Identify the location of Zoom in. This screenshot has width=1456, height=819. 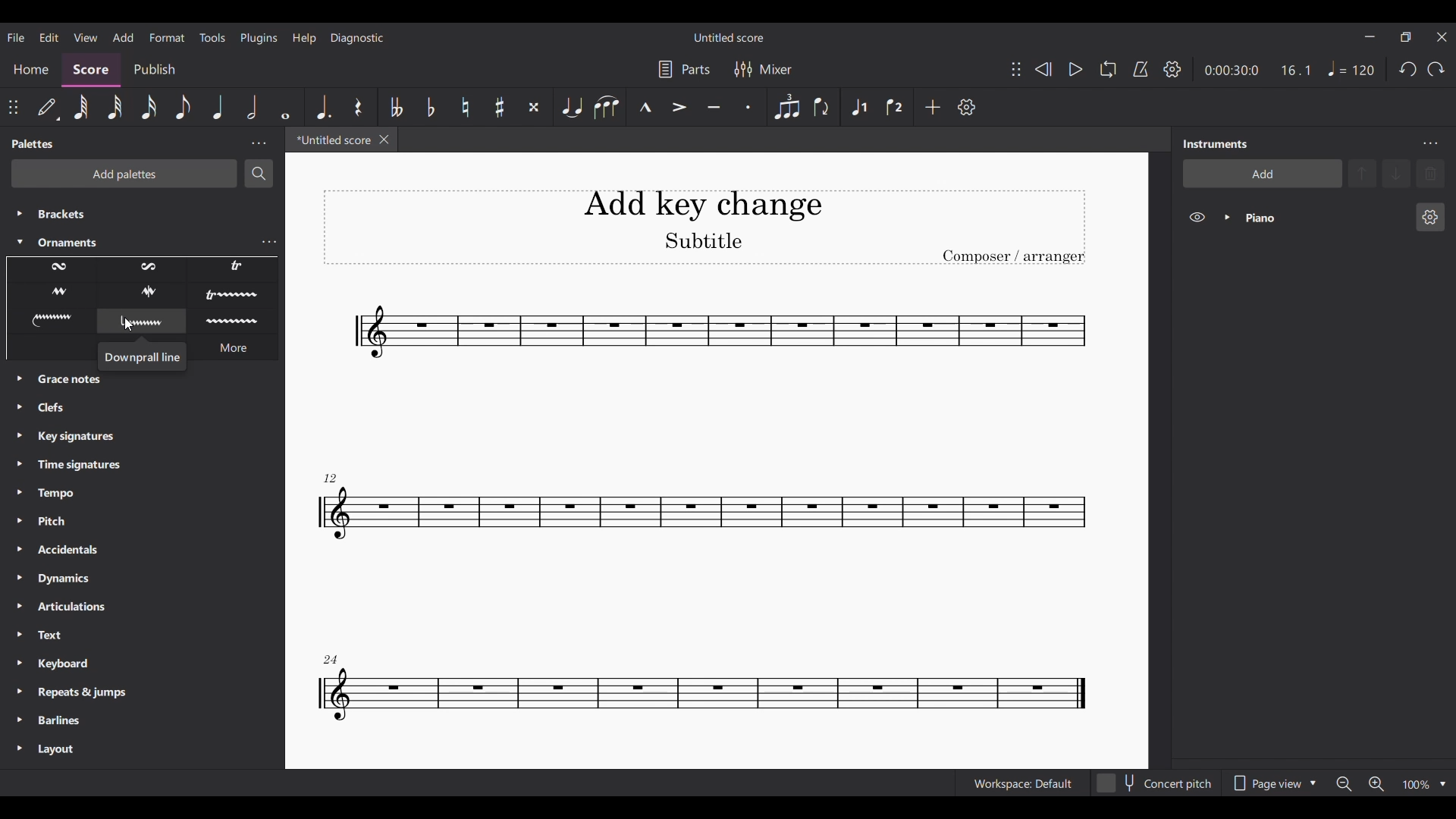
(1376, 784).